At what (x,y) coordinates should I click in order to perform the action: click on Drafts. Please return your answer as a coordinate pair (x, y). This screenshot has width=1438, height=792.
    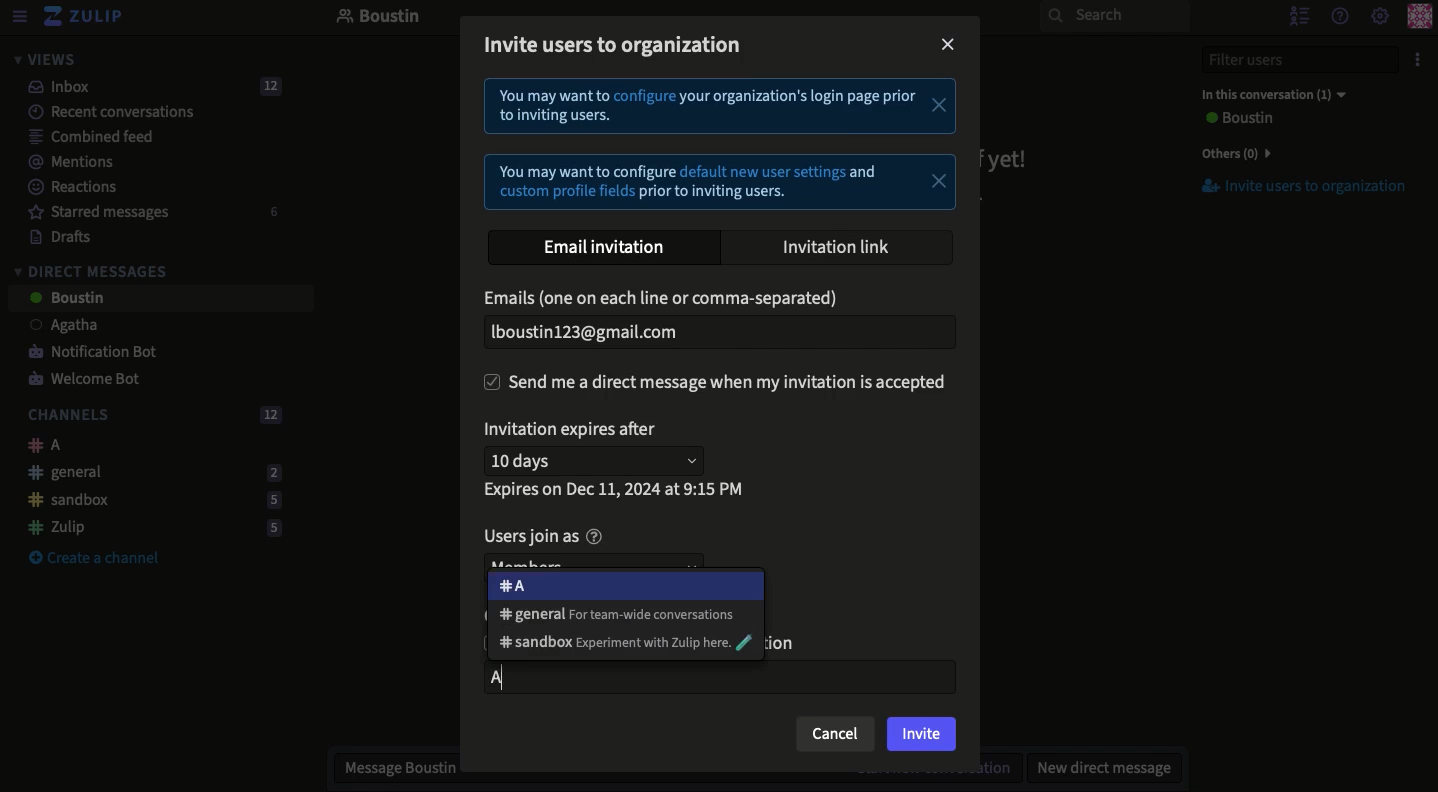
    Looking at the image, I should click on (51, 236).